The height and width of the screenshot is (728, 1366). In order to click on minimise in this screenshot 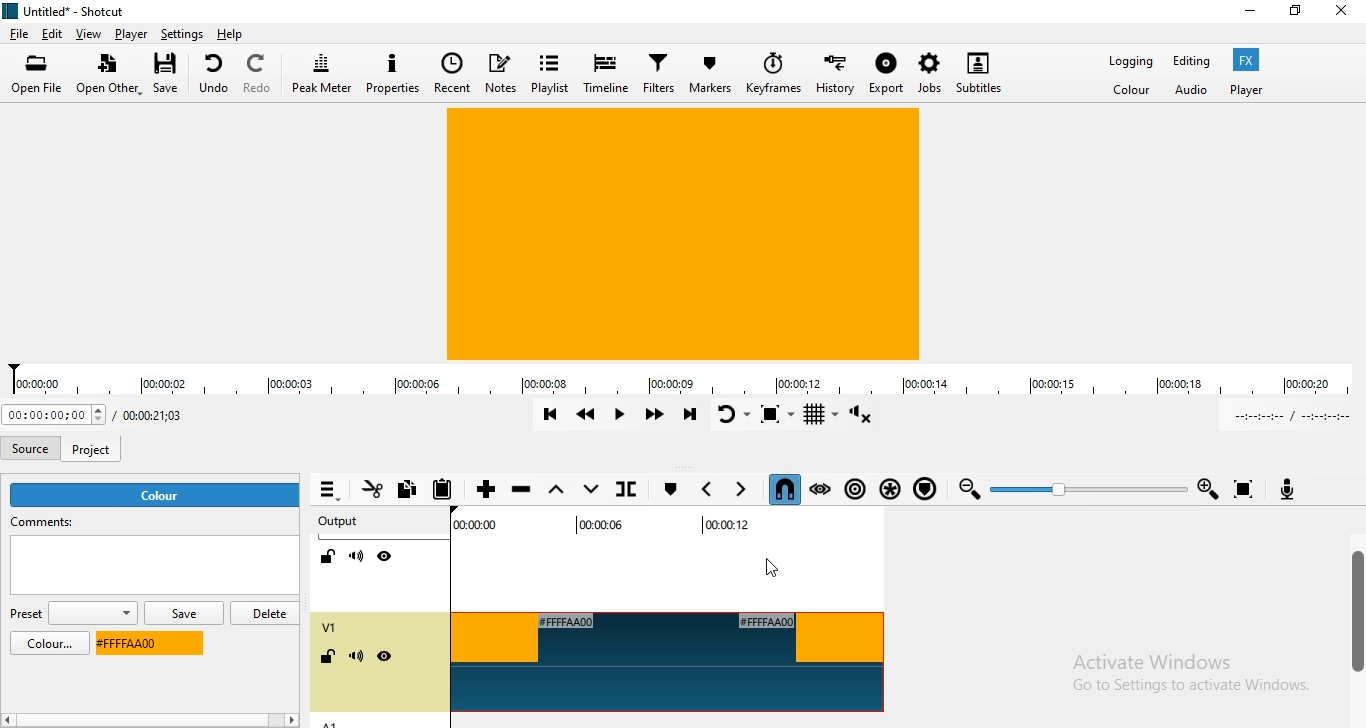, I will do `click(1250, 14)`.